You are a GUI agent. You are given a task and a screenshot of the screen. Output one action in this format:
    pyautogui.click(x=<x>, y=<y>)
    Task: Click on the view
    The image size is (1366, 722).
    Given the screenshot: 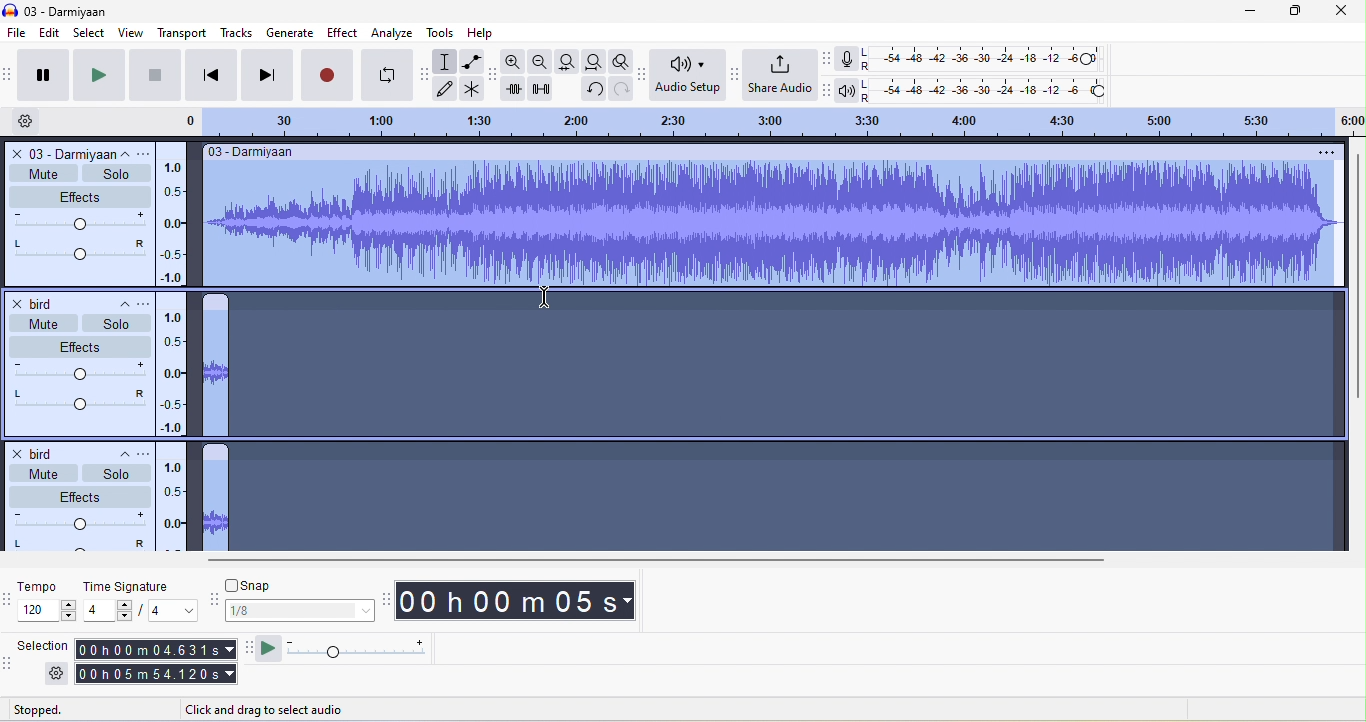 What is the action you would take?
    pyautogui.click(x=130, y=32)
    